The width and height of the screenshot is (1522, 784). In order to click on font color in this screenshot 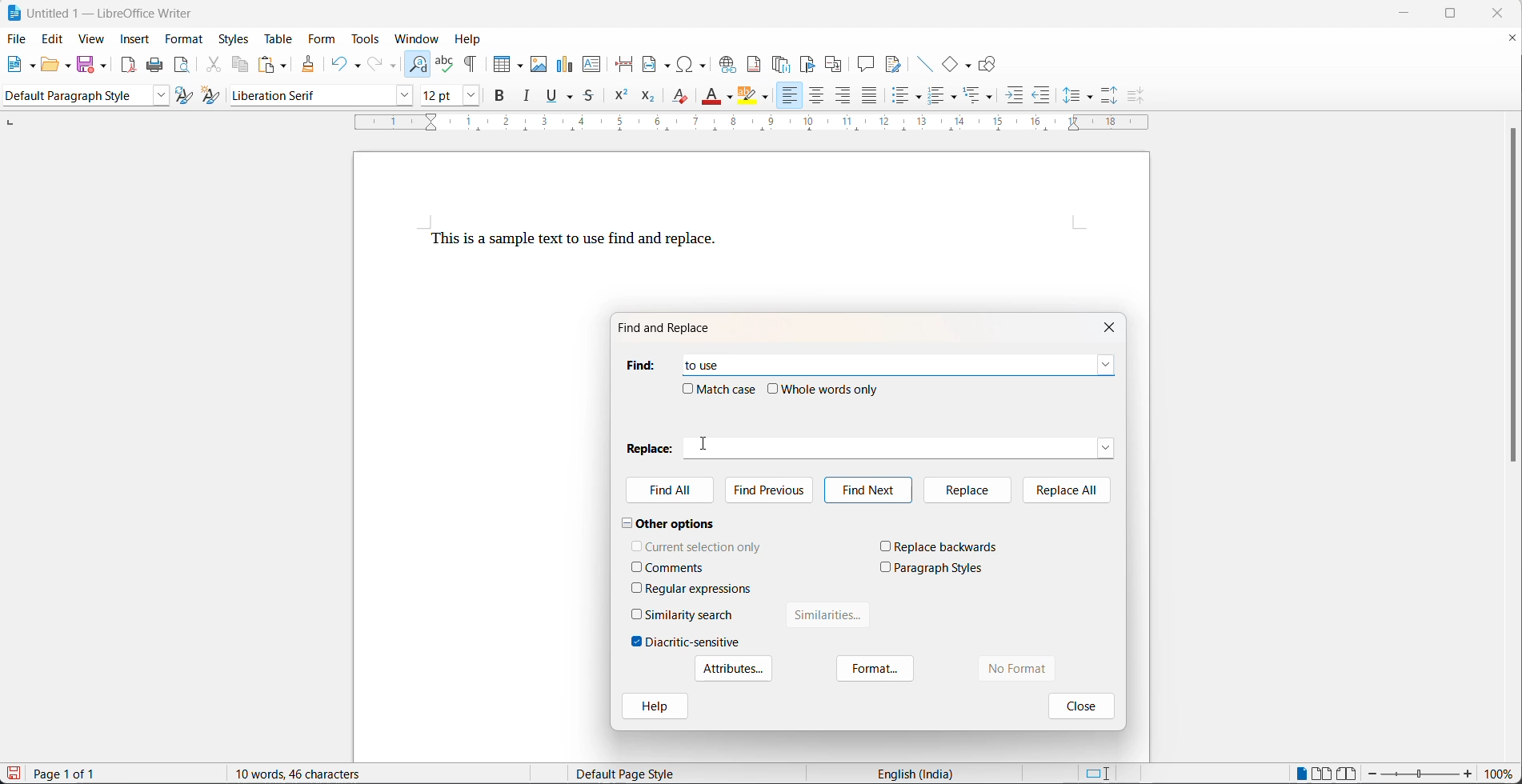, I will do `click(730, 98)`.